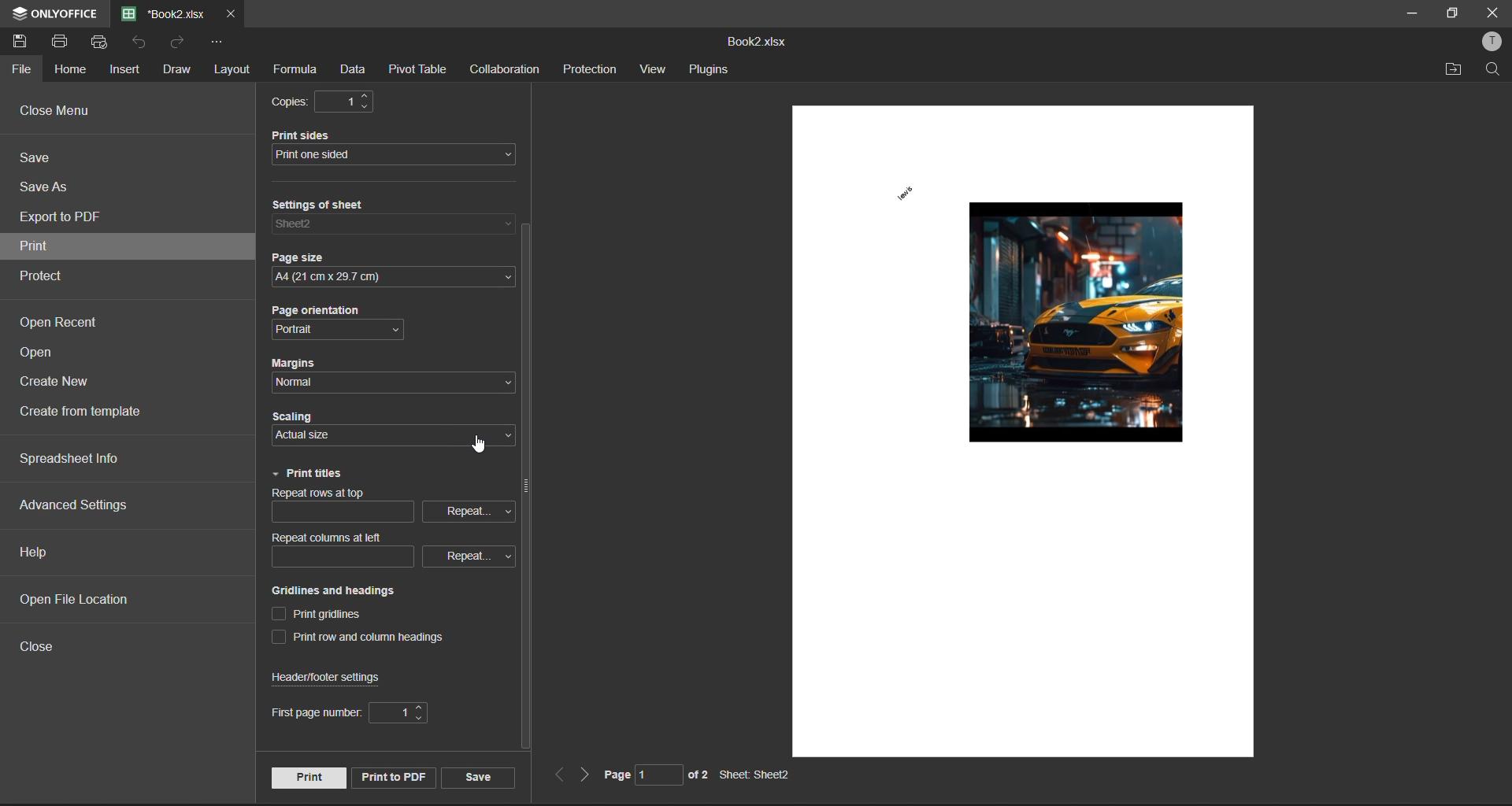 The height and width of the screenshot is (806, 1512). Describe the element at coordinates (43, 160) in the screenshot. I see `save` at that location.